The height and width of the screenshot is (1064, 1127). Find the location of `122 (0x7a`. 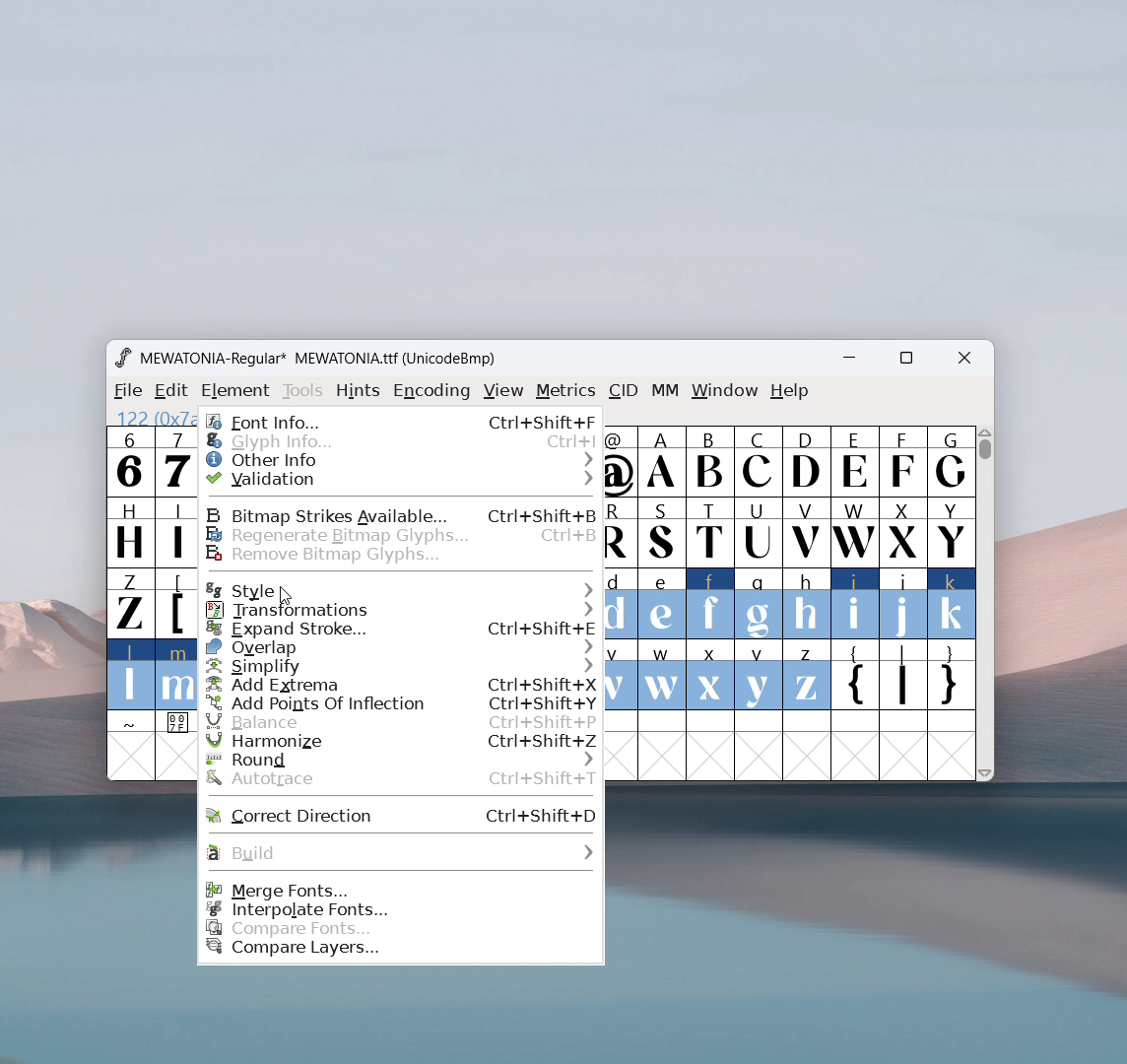

122 (0x7a is located at coordinates (154, 418).